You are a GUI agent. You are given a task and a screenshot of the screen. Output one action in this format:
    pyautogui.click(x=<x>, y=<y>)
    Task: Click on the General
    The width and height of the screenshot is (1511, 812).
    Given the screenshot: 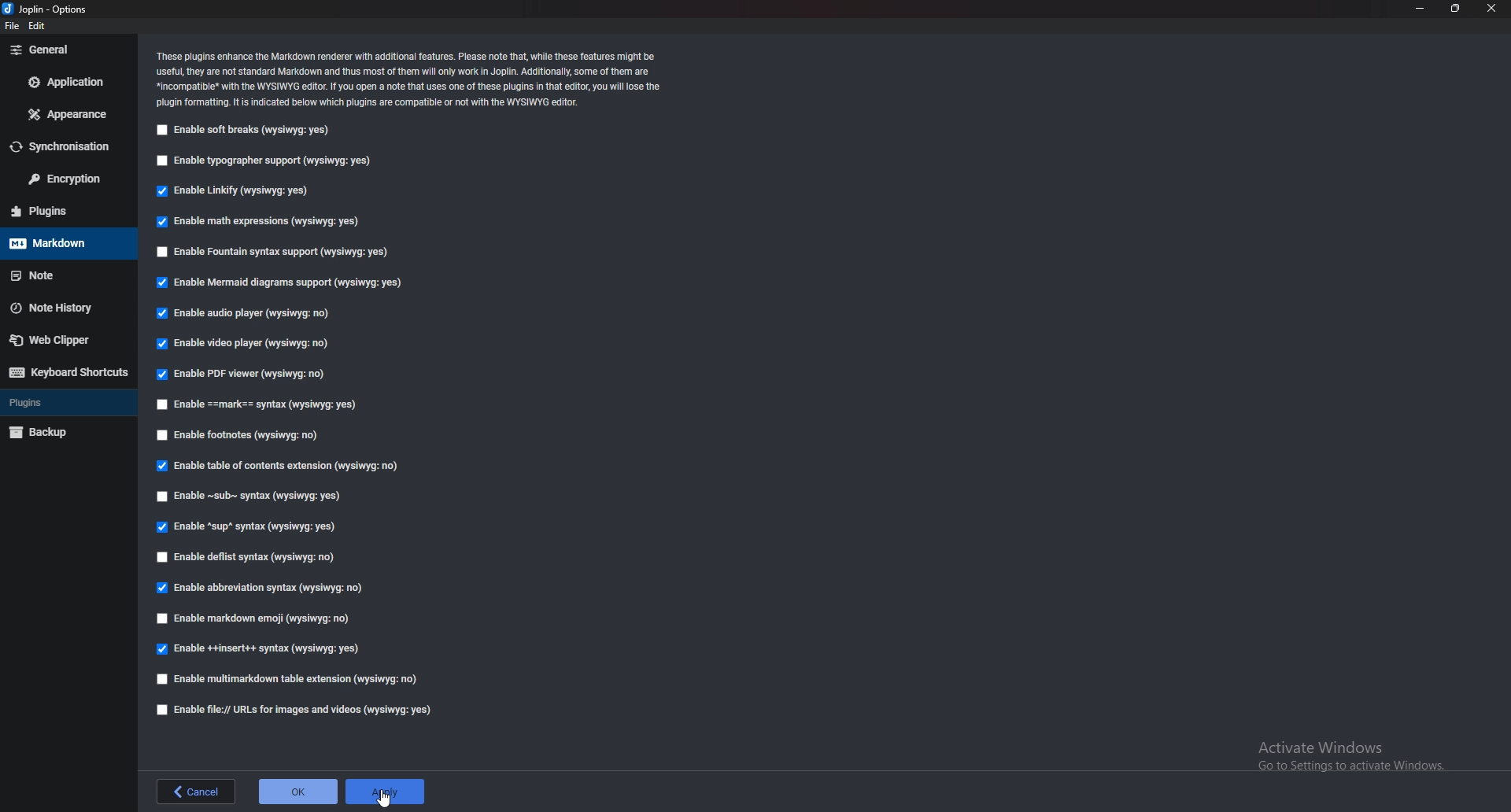 What is the action you would take?
    pyautogui.click(x=65, y=50)
    